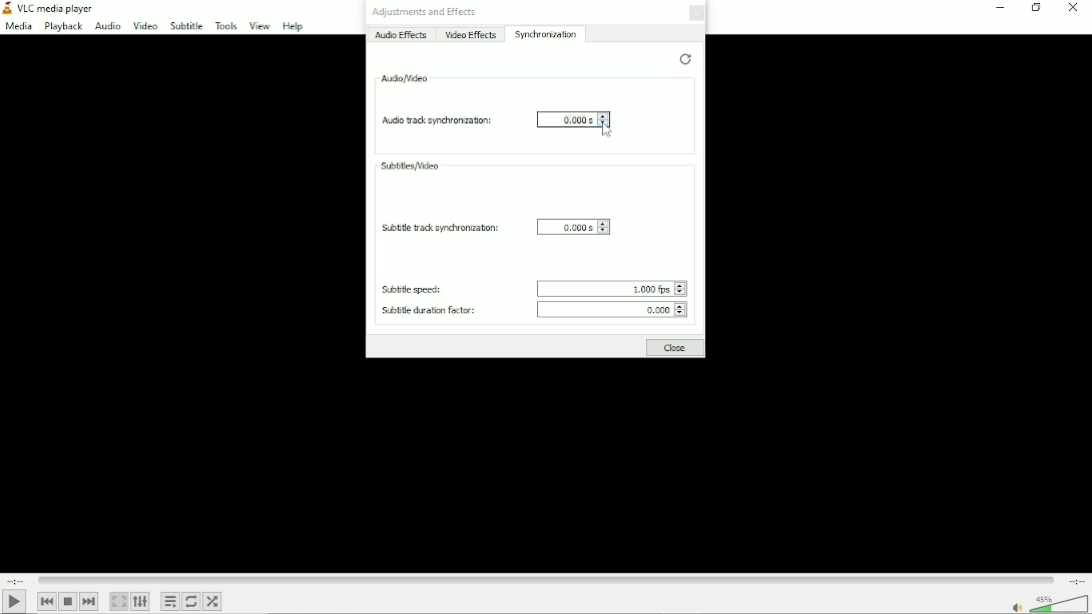  What do you see at coordinates (566, 226) in the screenshot?
I see `set Subtitle track synchronization` at bounding box center [566, 226].